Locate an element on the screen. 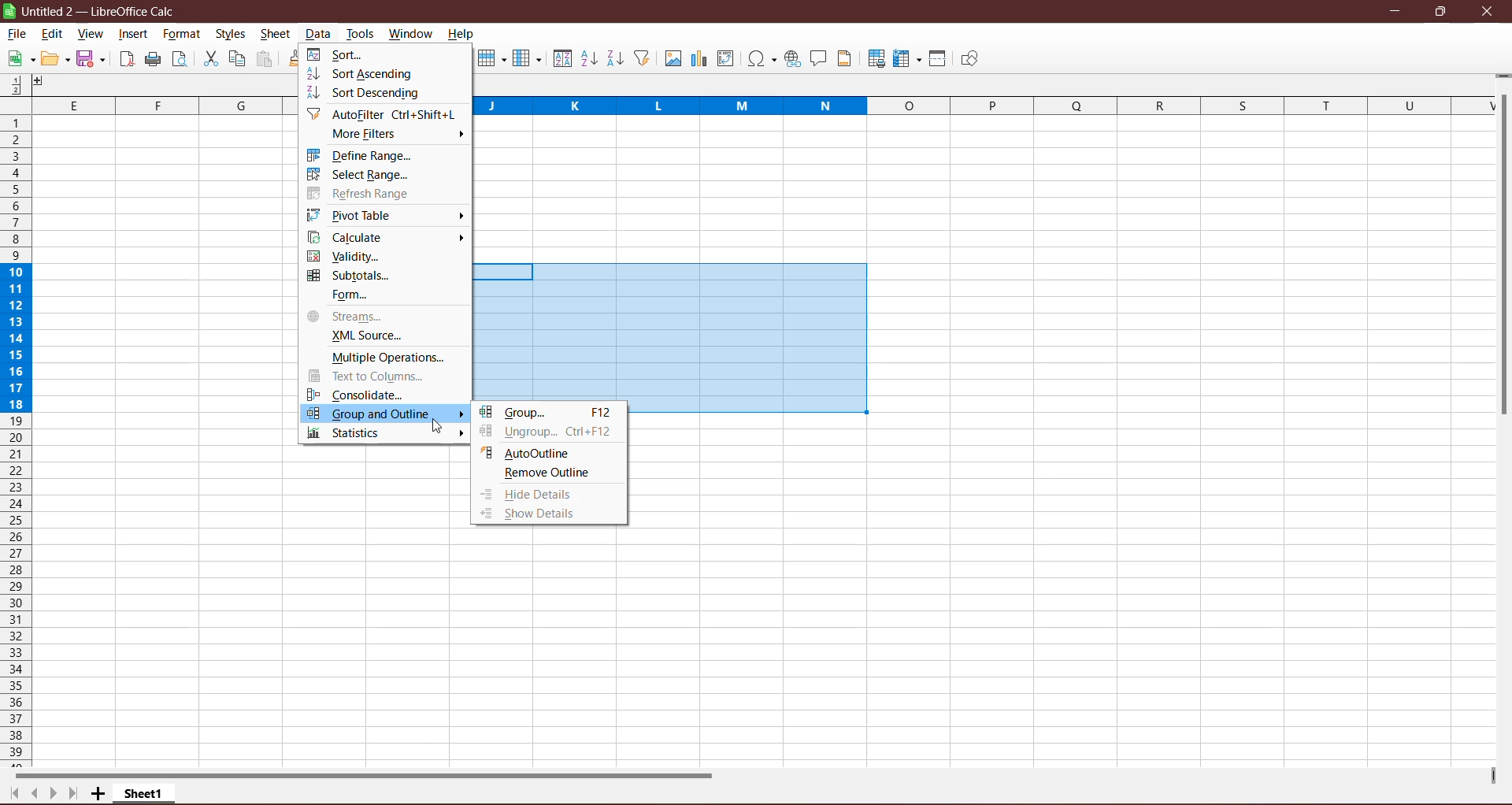  Print is located at coordinates (153, 60).